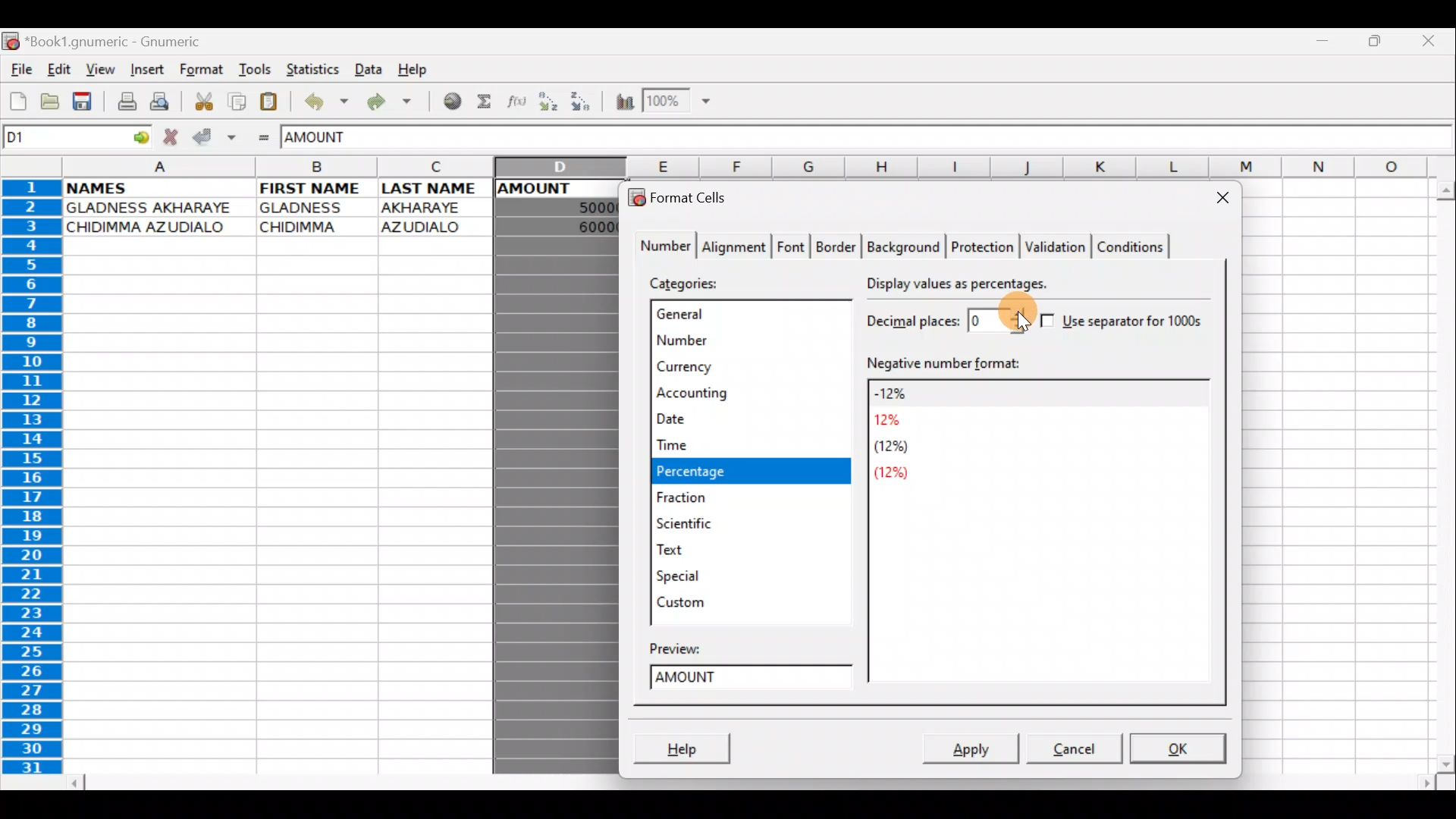  Describe the element at coordinates (839, 245) in the screenshot. I see `Border` at that location.